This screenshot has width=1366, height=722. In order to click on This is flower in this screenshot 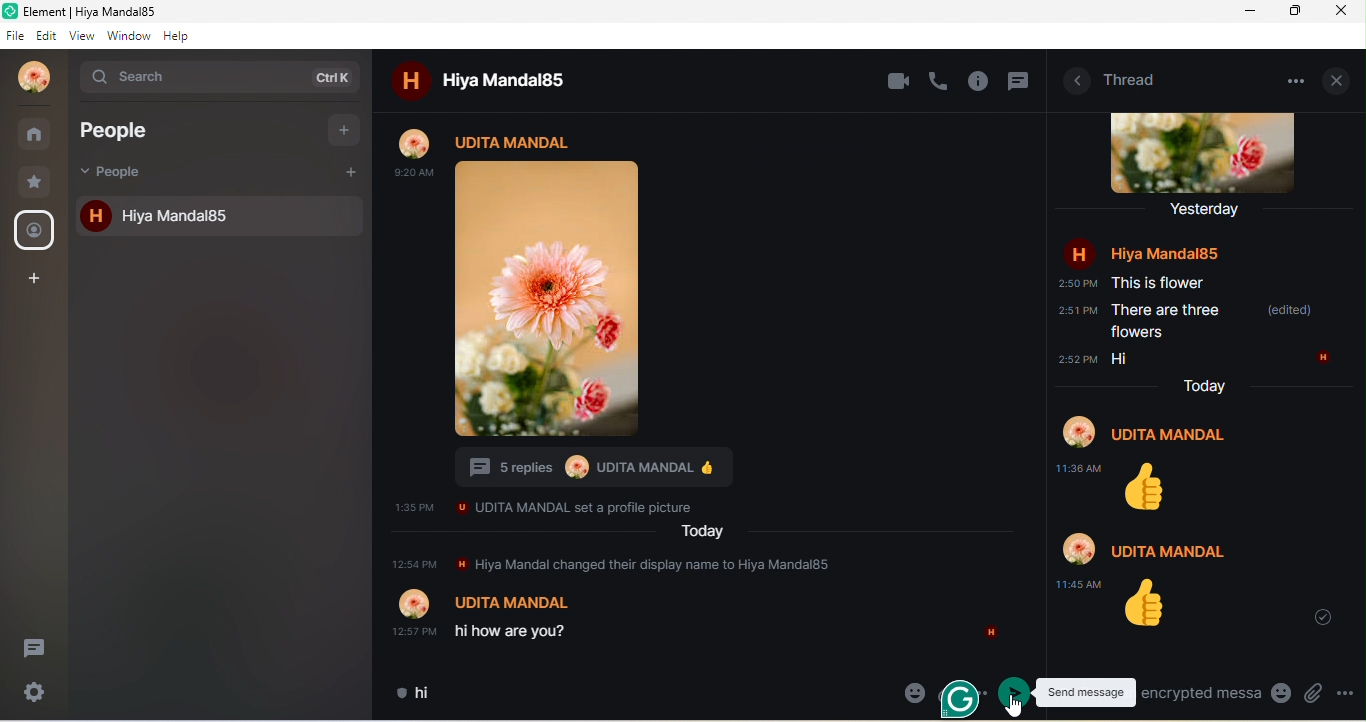, I will do `click(1159, 283)`.